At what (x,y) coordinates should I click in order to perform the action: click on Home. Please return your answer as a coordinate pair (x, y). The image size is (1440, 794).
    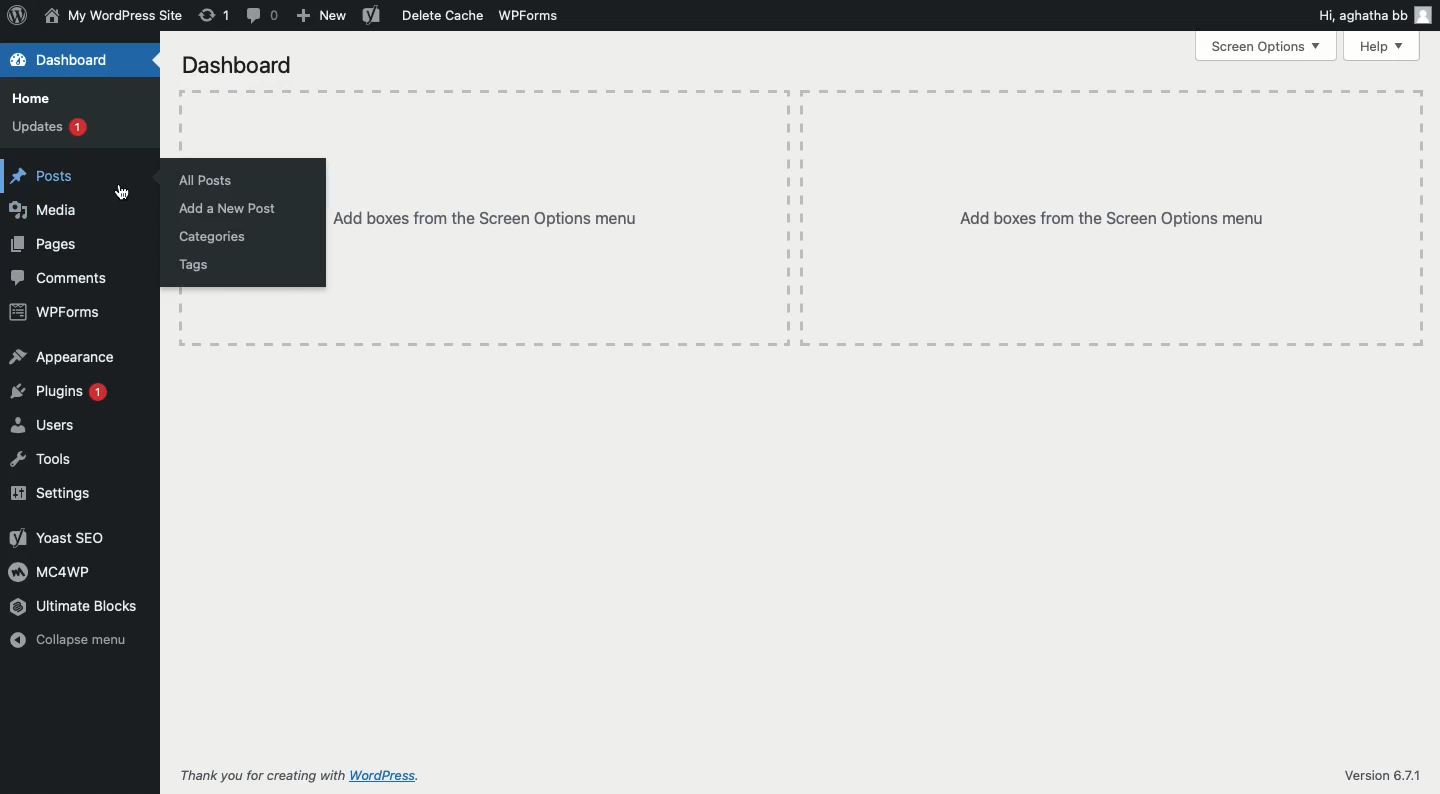
    Looking at the image, I should click on (35, 98).